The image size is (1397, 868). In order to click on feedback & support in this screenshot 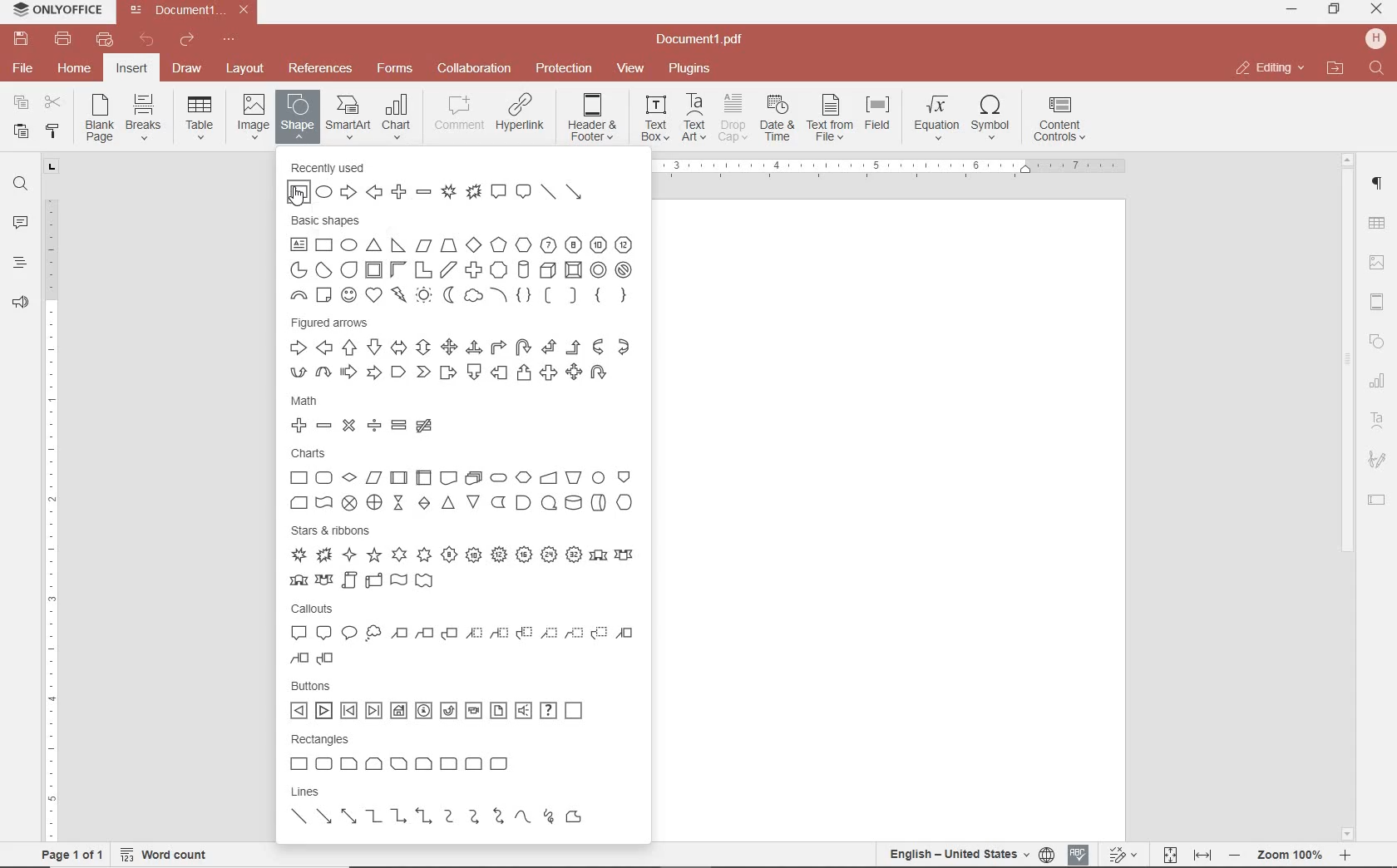, I will do `click(21, 303)`.